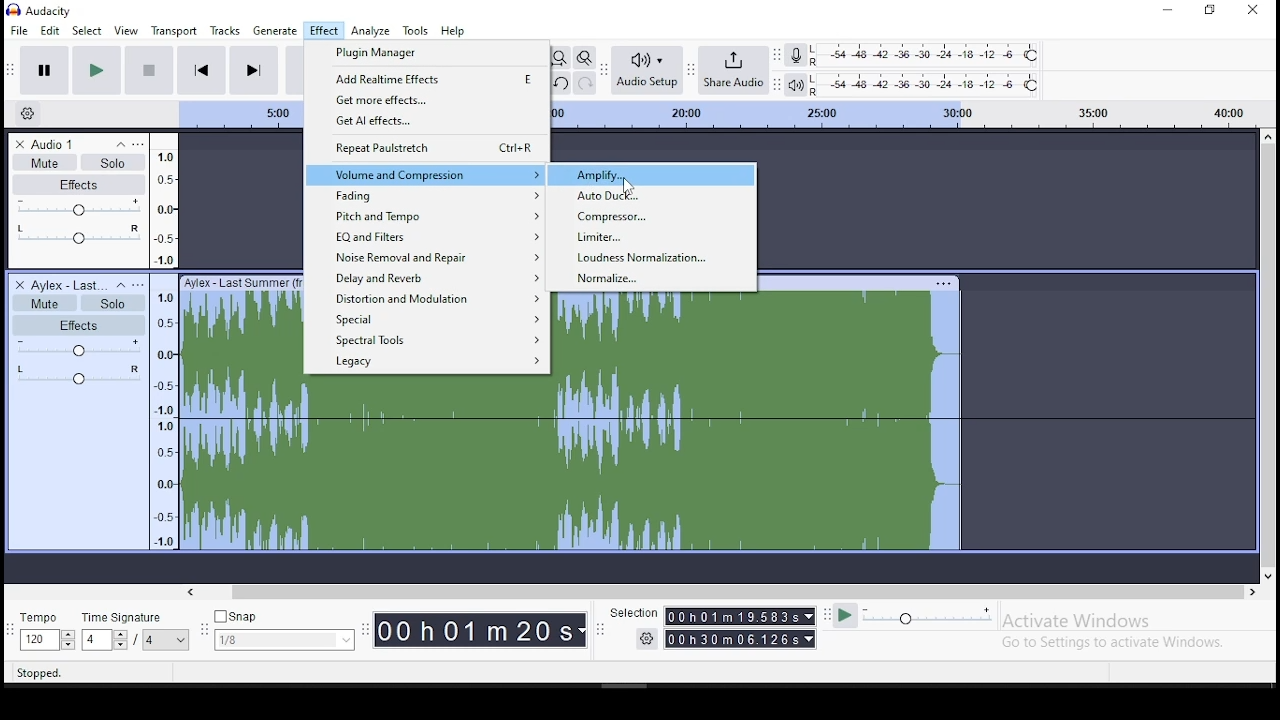 The width and height of the screenshot is (1280, 720). I want to click on delete track, so click(16, 284).